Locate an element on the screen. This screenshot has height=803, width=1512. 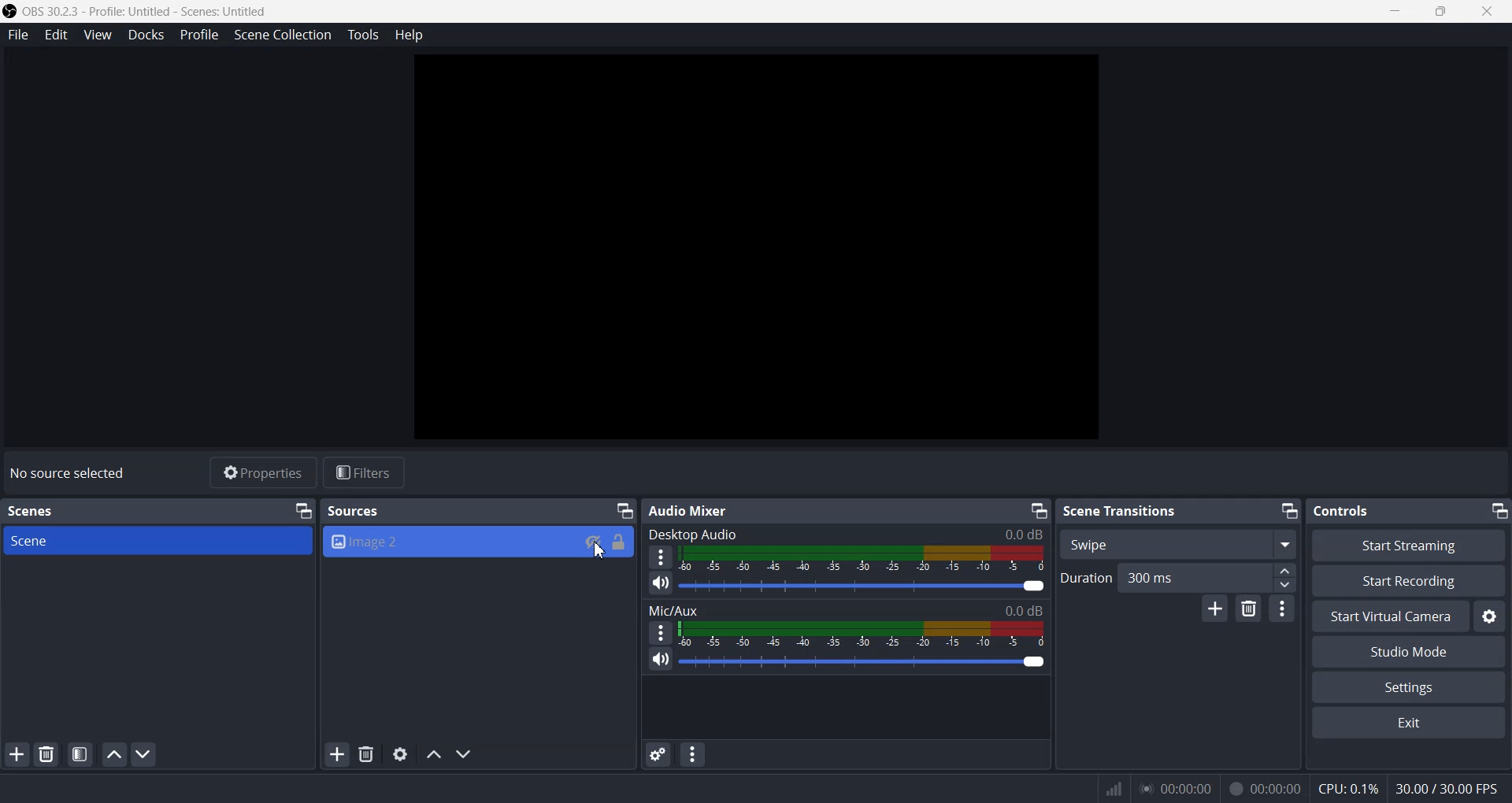
Swipe is located at coordinates (1178, 542).